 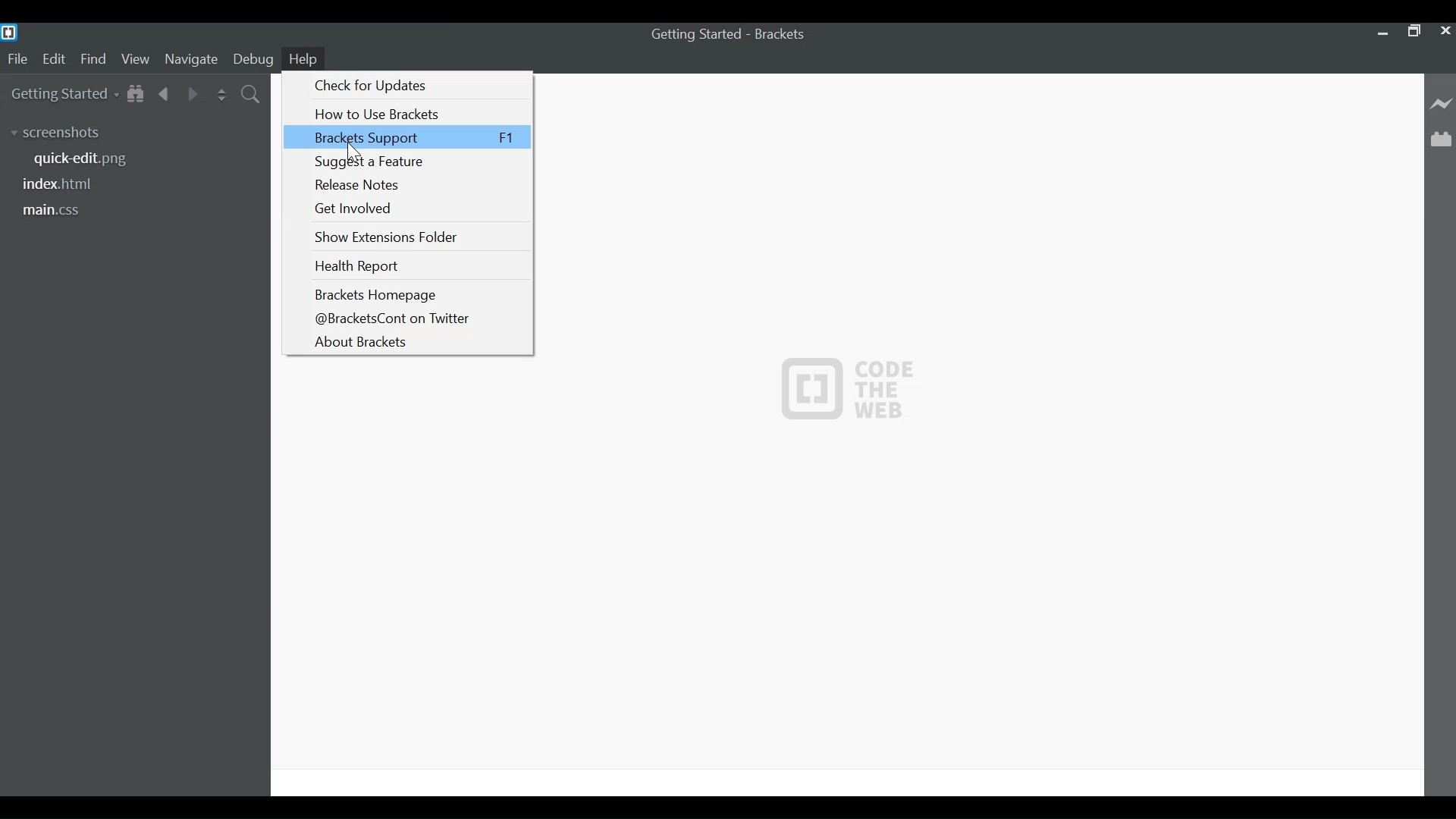 What do you see at coordinates (63, 209) in the screenshot?
I see `main css File` at bounding box center [63, 209].